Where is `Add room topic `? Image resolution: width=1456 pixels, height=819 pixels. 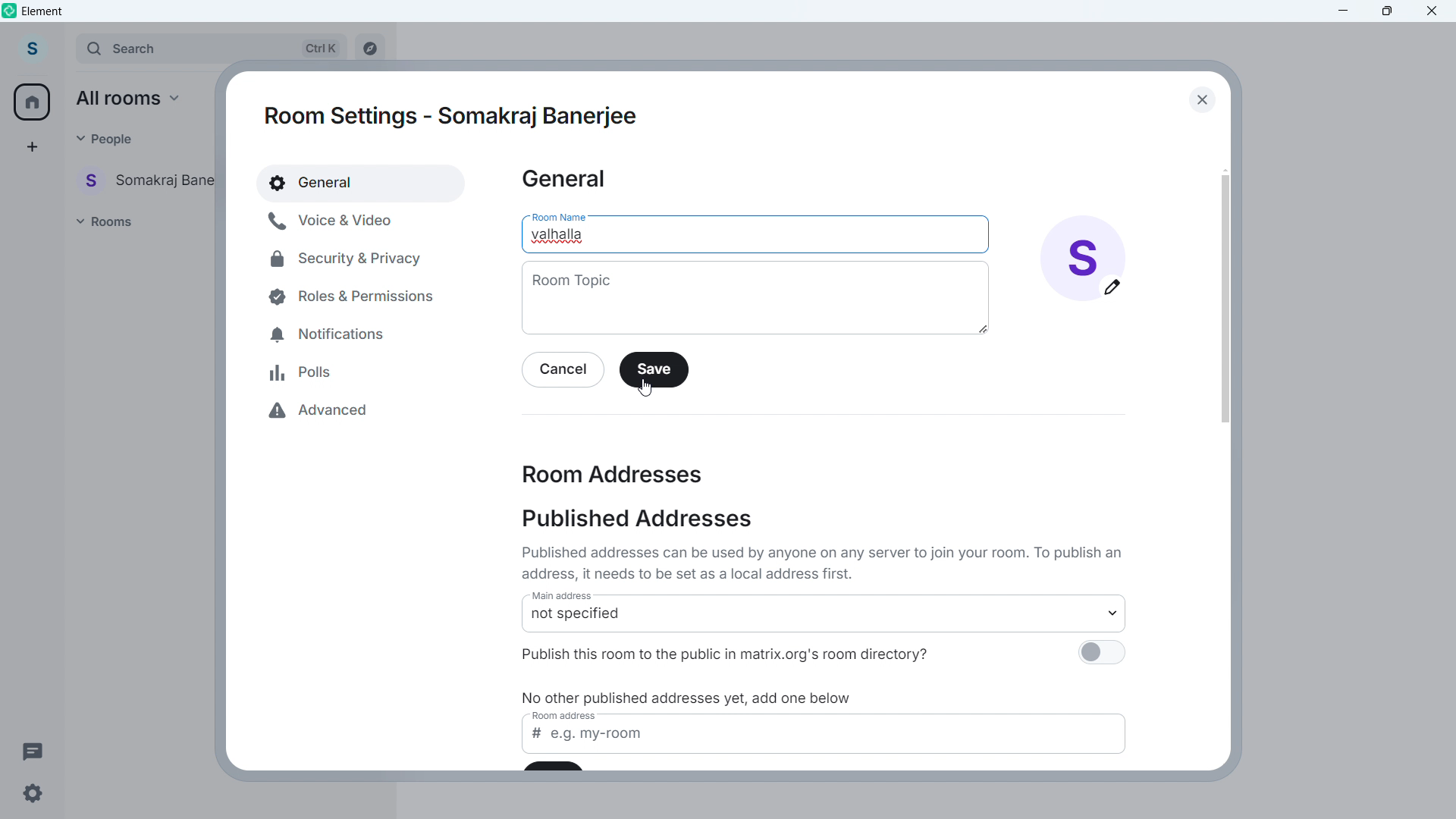
Add room topic  is located at coordinates (755, 298).